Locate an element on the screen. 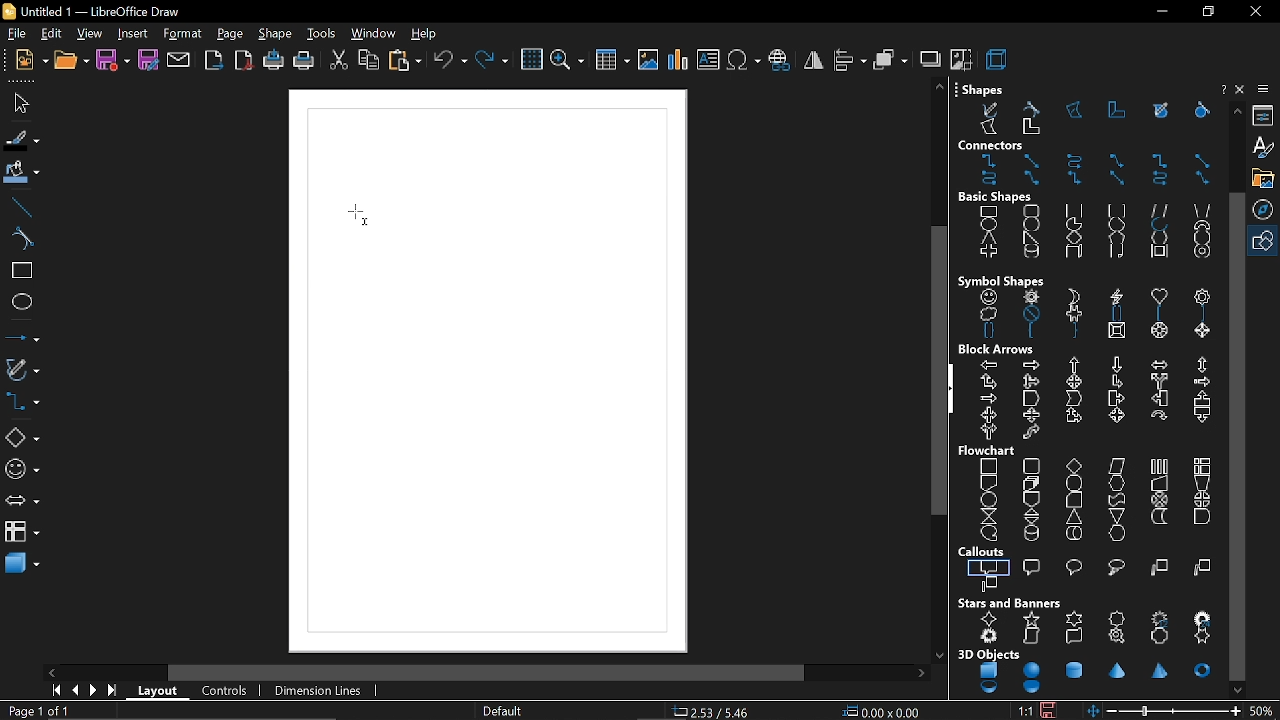  horizontal scroll bar is located at coordinates (487, 672).